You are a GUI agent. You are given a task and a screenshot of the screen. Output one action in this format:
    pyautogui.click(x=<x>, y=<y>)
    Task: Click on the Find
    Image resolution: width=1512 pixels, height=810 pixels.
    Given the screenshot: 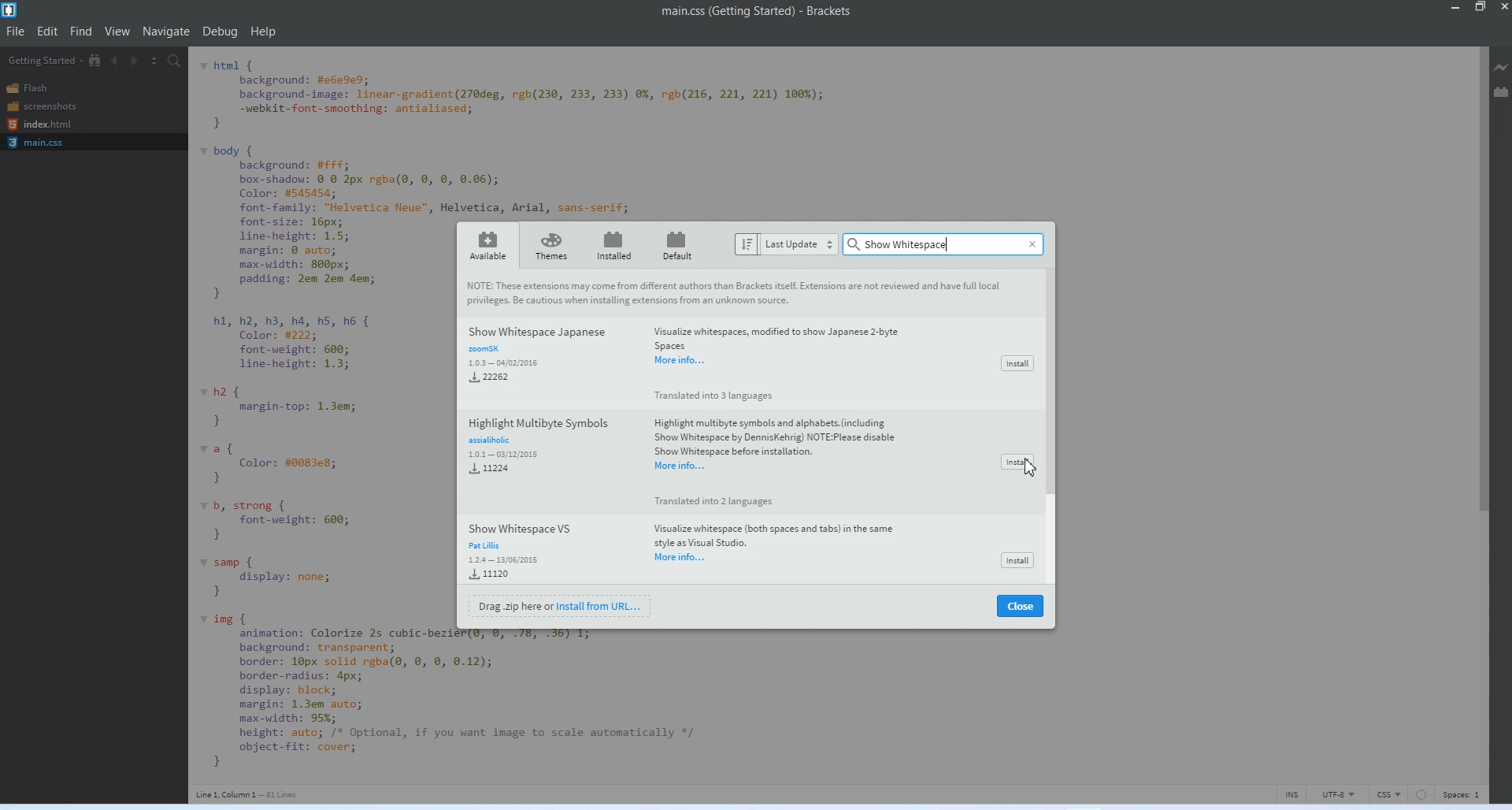 What is the action you would take?
    pyautogui.click(x=83, y=31)
    